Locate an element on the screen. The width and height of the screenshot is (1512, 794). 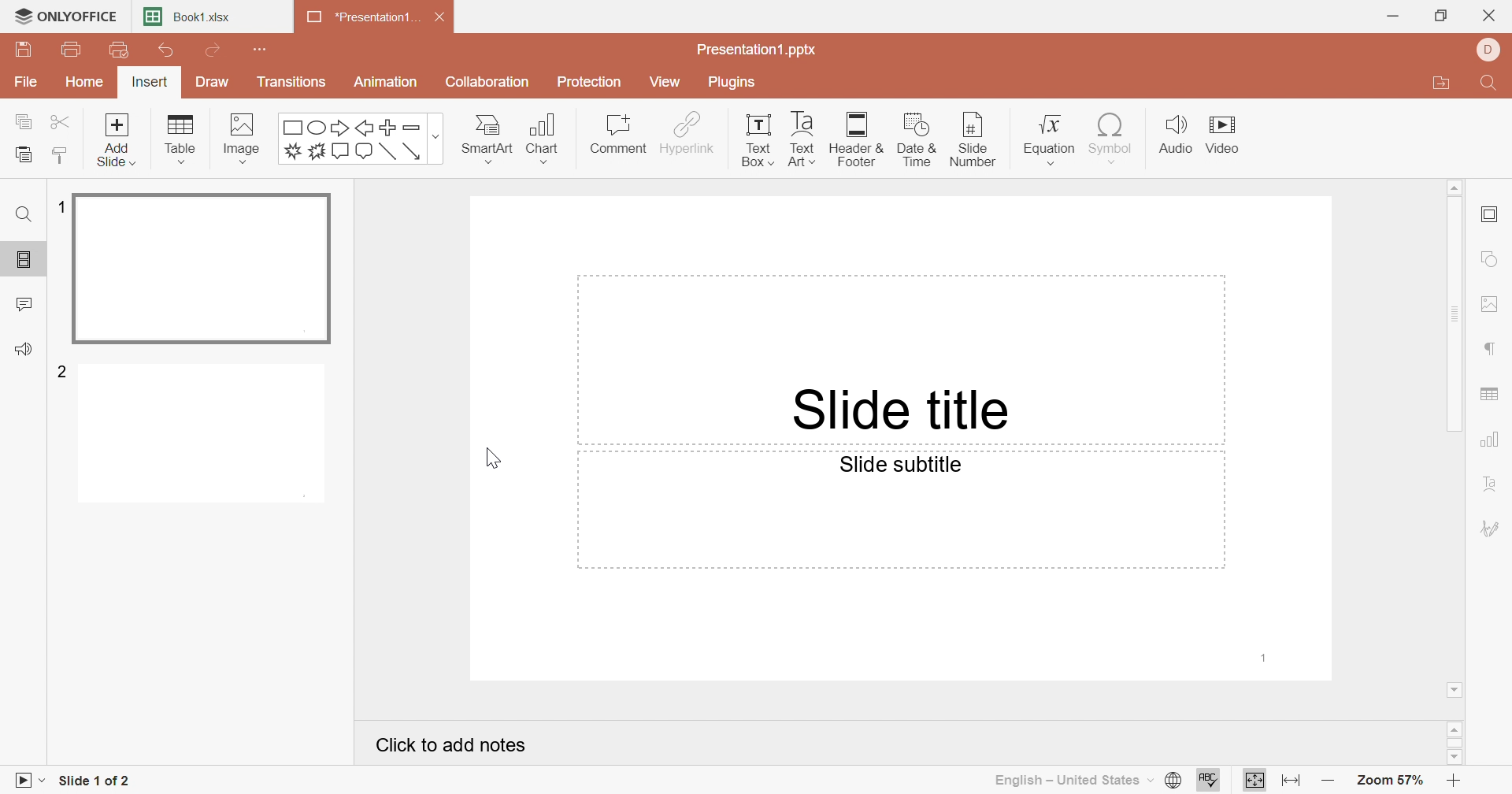
Plugins is located at coordinates (733, 82).